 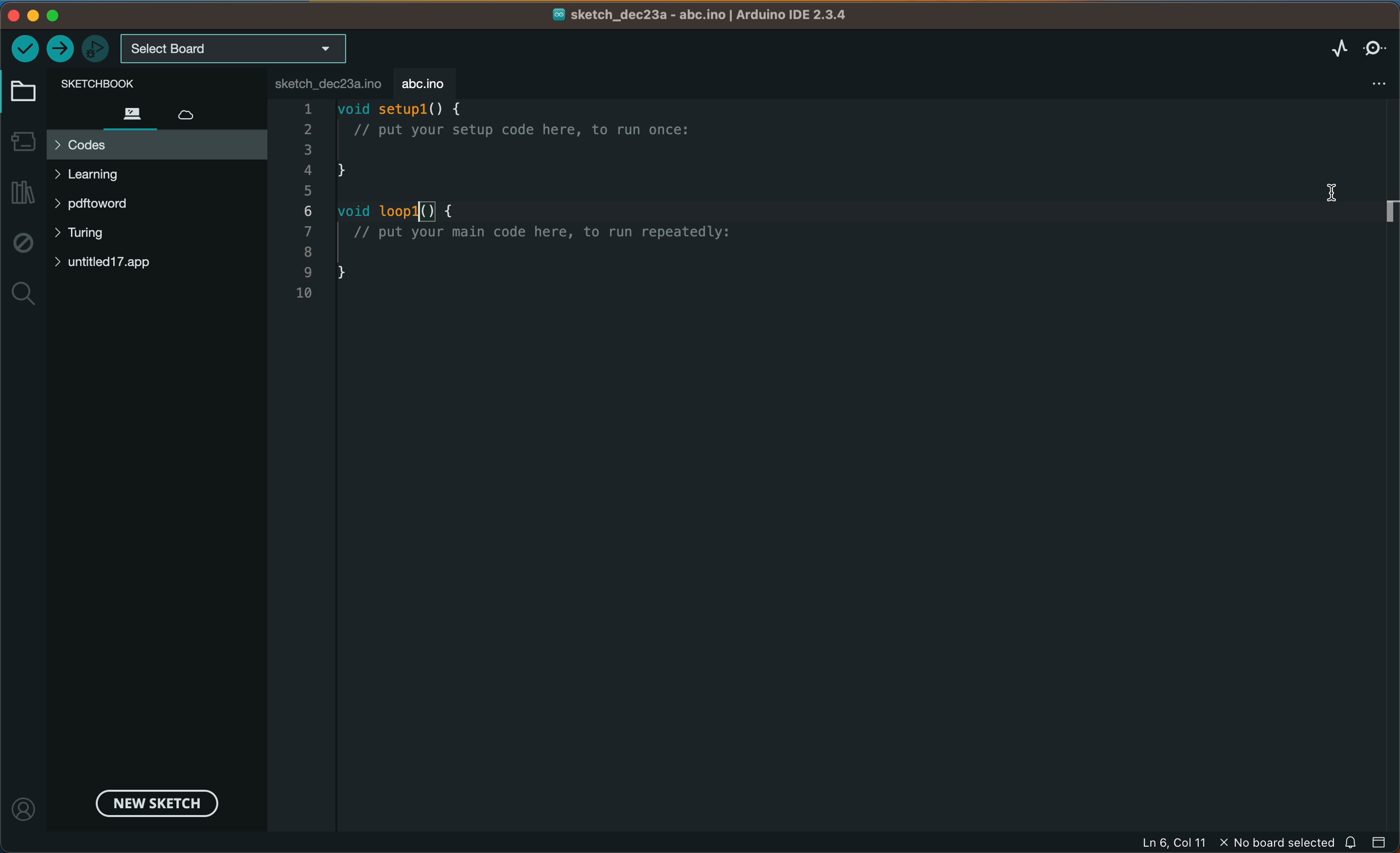 What do you see at coordinates (125, 113) in the screenshot?
I see `files` at bounding box center [125, 113].